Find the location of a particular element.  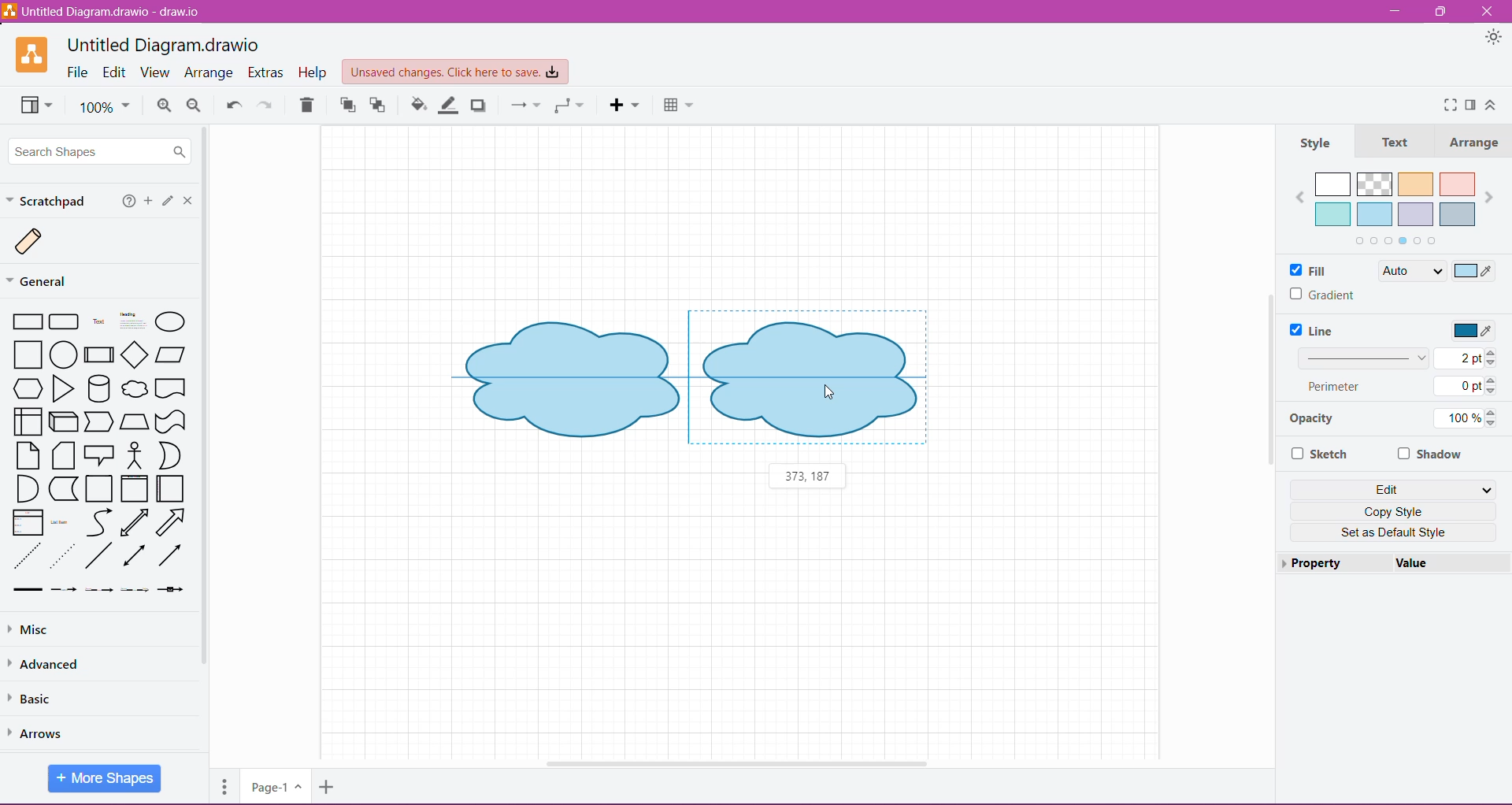

View is located at coordinates (39, 106).